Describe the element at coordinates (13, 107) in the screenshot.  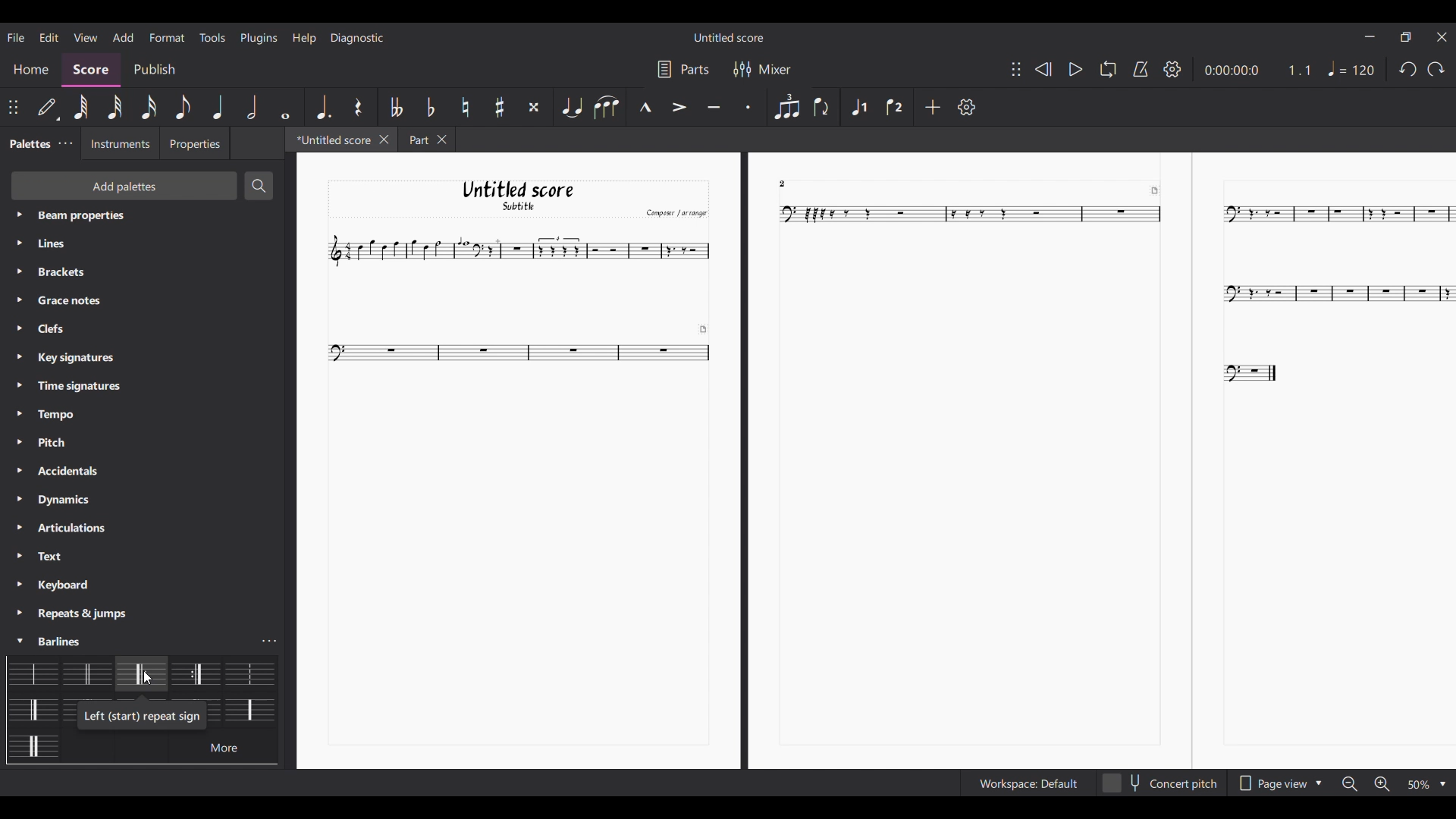
I see `Change position` at that location.